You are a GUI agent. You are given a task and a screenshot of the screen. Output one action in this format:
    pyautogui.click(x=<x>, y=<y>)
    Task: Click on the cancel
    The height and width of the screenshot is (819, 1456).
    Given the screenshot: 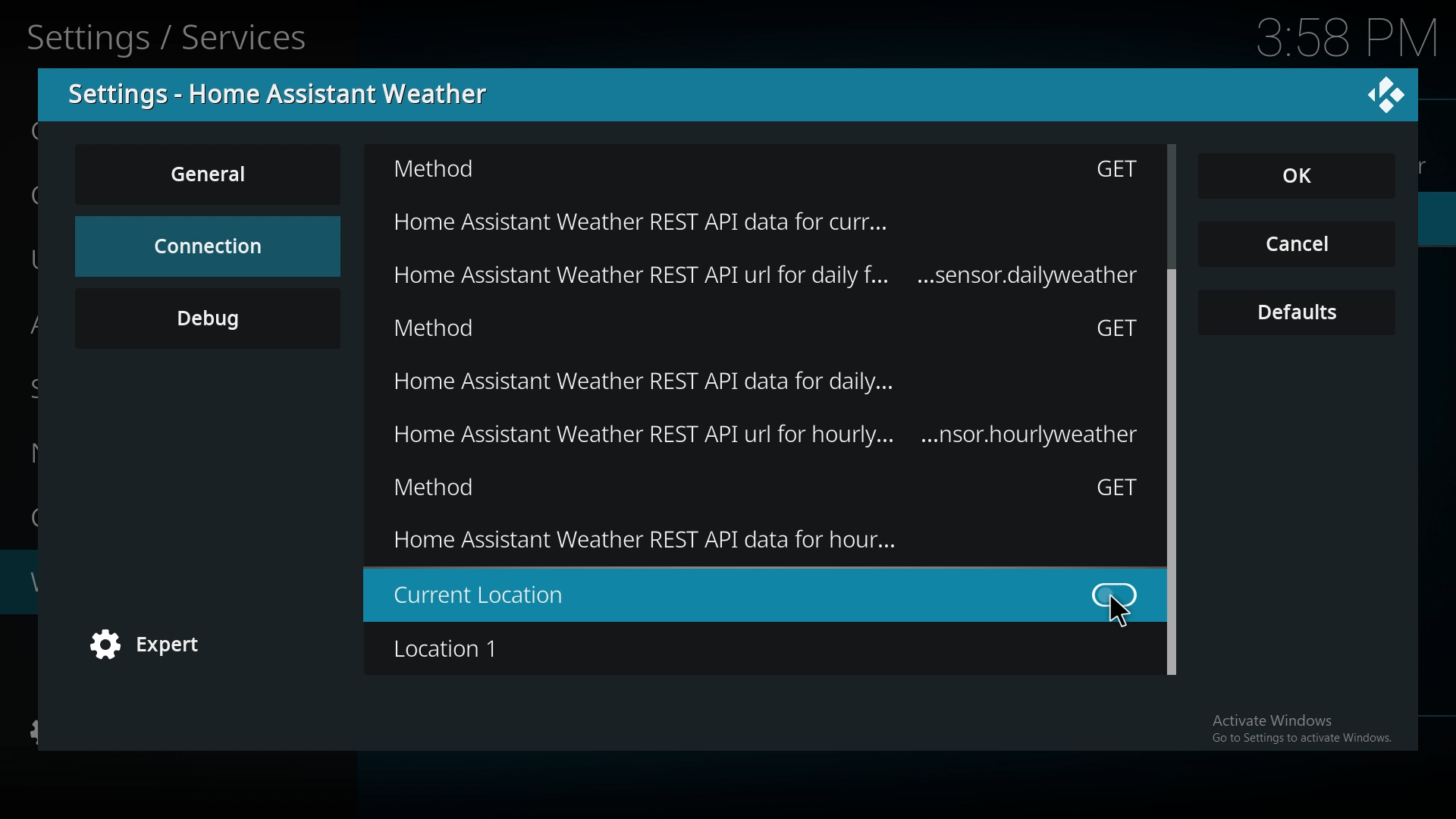 What is the action you would take?
    pyautogui.click(x=1297, y=246)
    